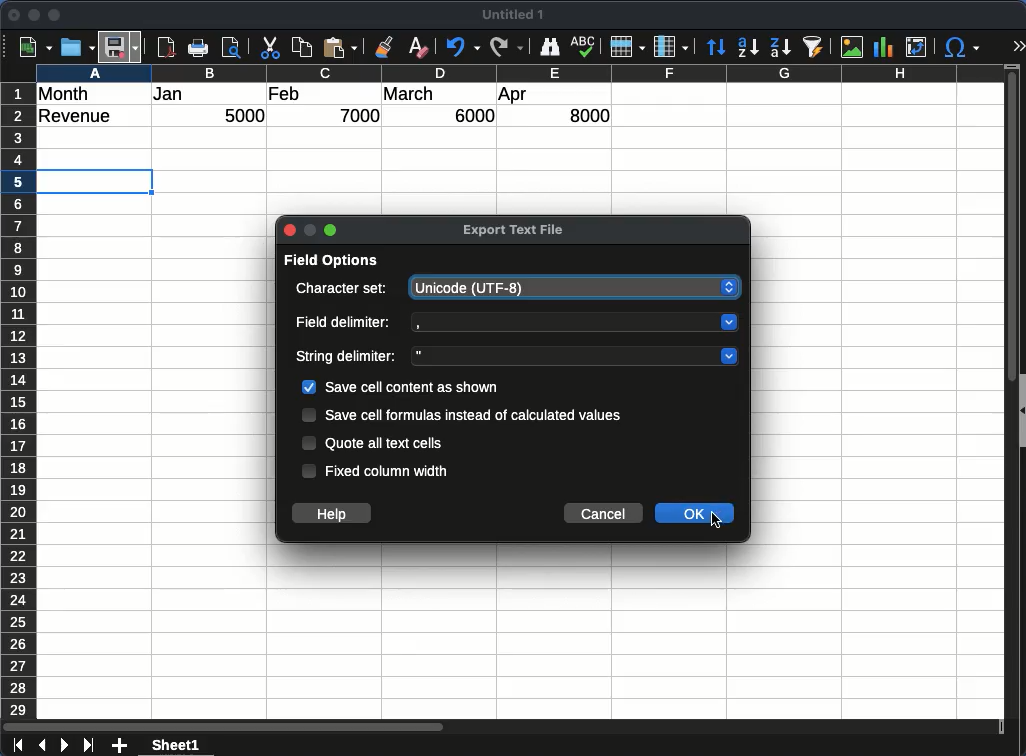 The image size is (1026, 756). What do you see at coordinates (576, 288) in the screenshot?
I see `unicode (utf-8)` at bounding box center [576, 288].